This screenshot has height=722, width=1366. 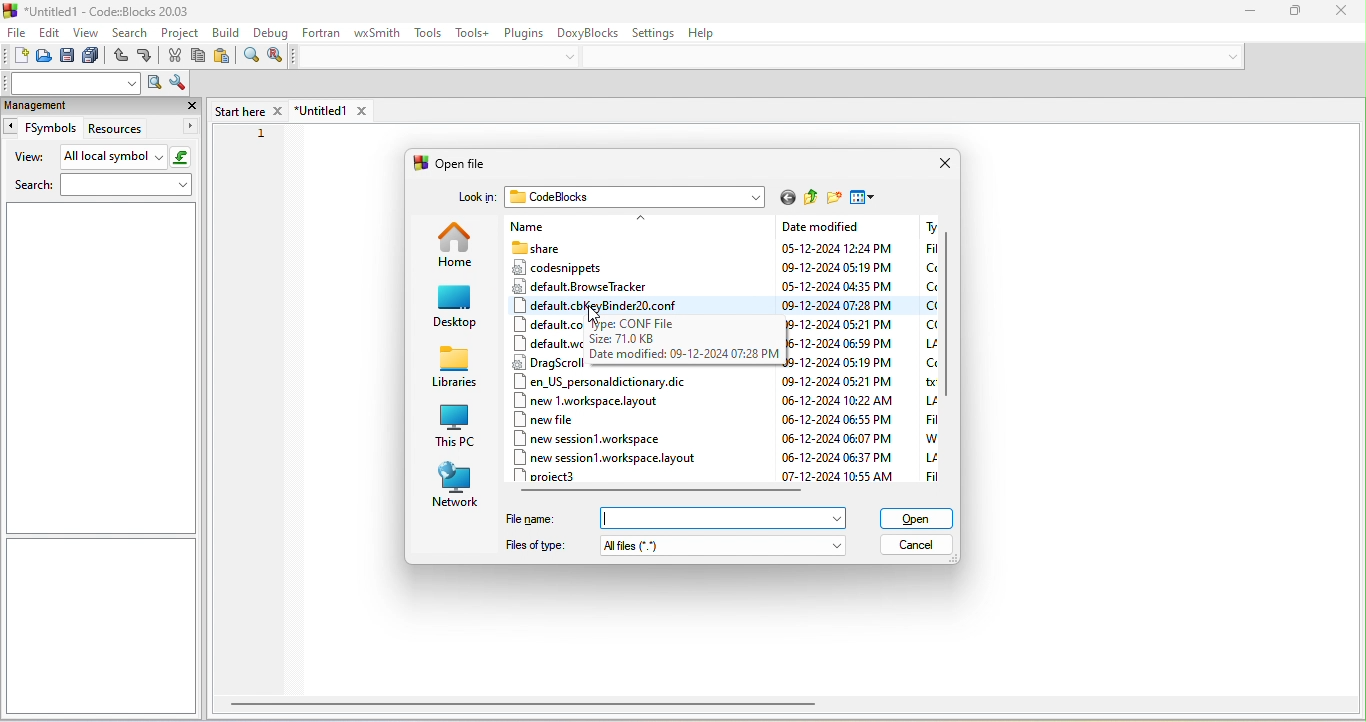 I want to click on horizontal bar, so click(x=528, y=709).